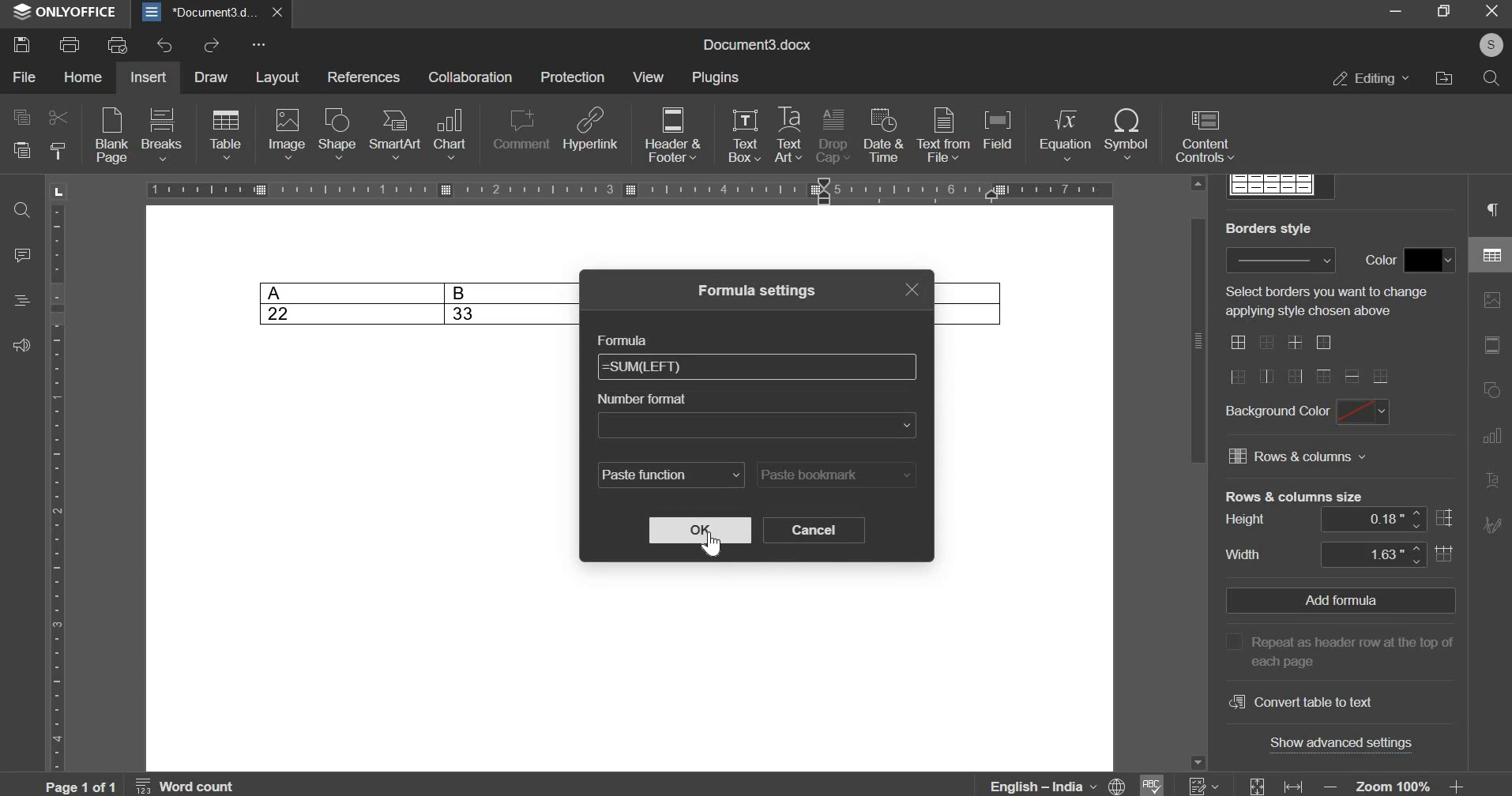 The width and height of the screenshot is (1512, 796). I want to click on content controls, so click(1204, 137).